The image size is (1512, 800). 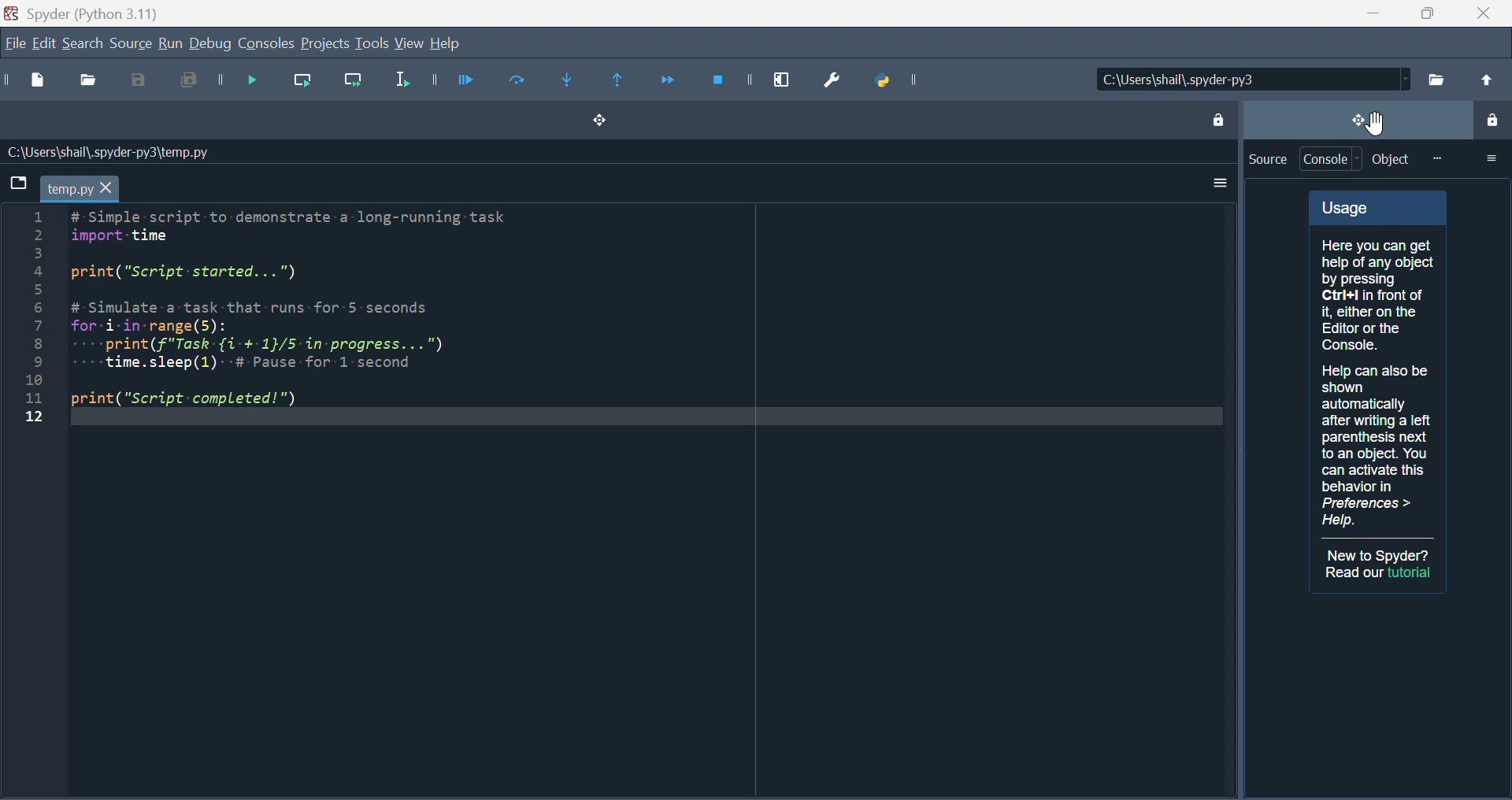 What do you see at coordinates (1267, 159) in the screenshot?
I see `Source` at bounding box center [1267, 159].